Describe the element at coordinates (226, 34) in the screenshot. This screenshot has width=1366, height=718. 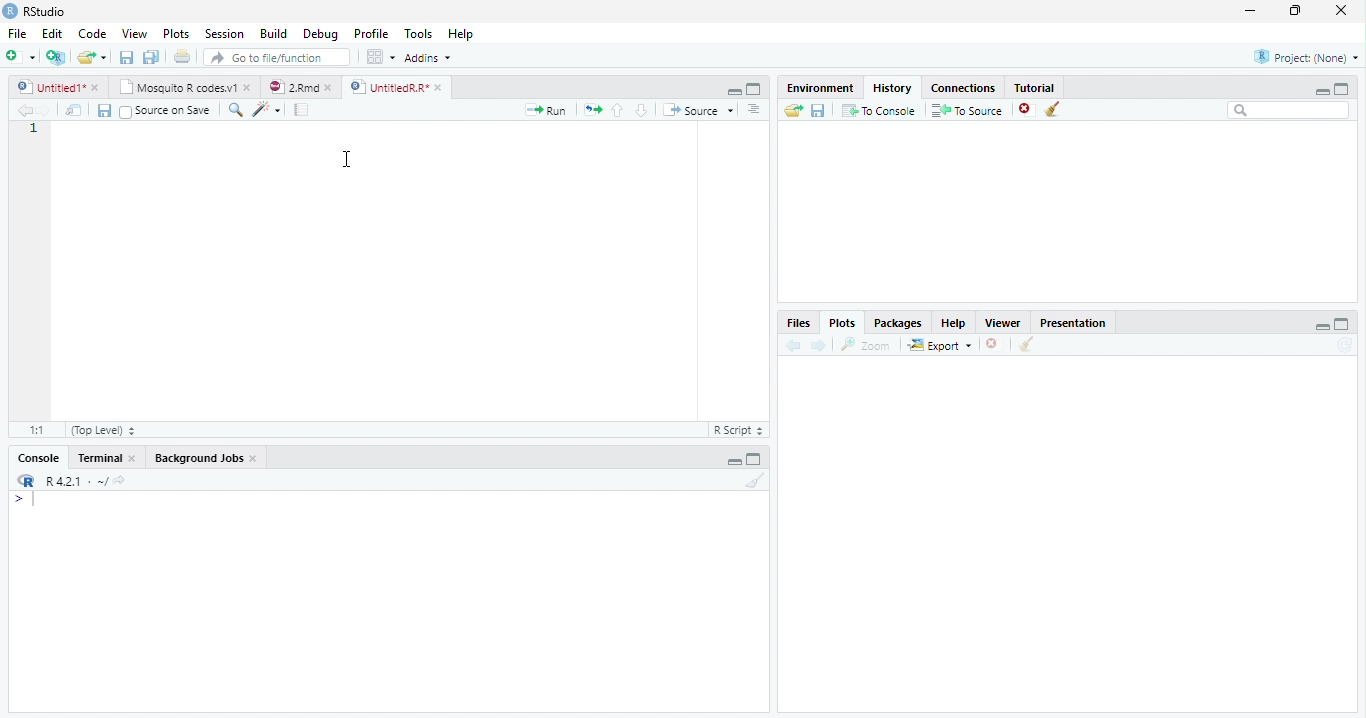
I see `Session` at that location.